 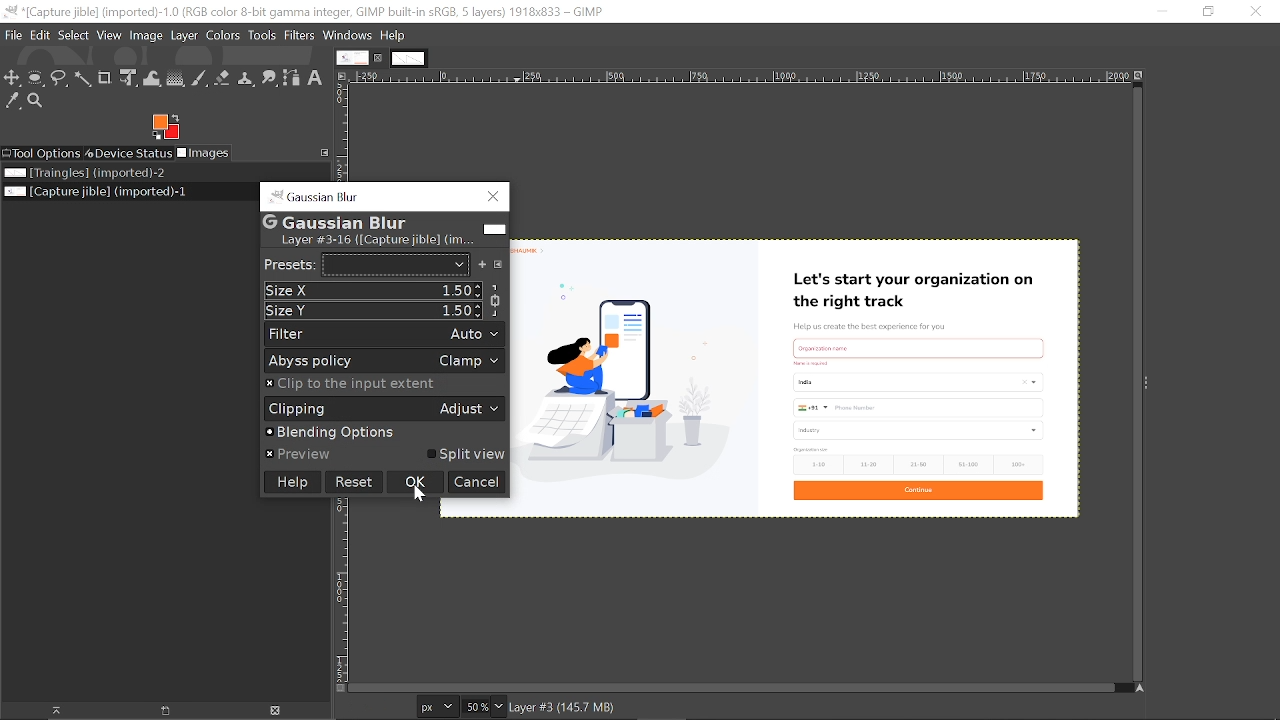 I want to click on Free select tool, so click(x=84, y=80).